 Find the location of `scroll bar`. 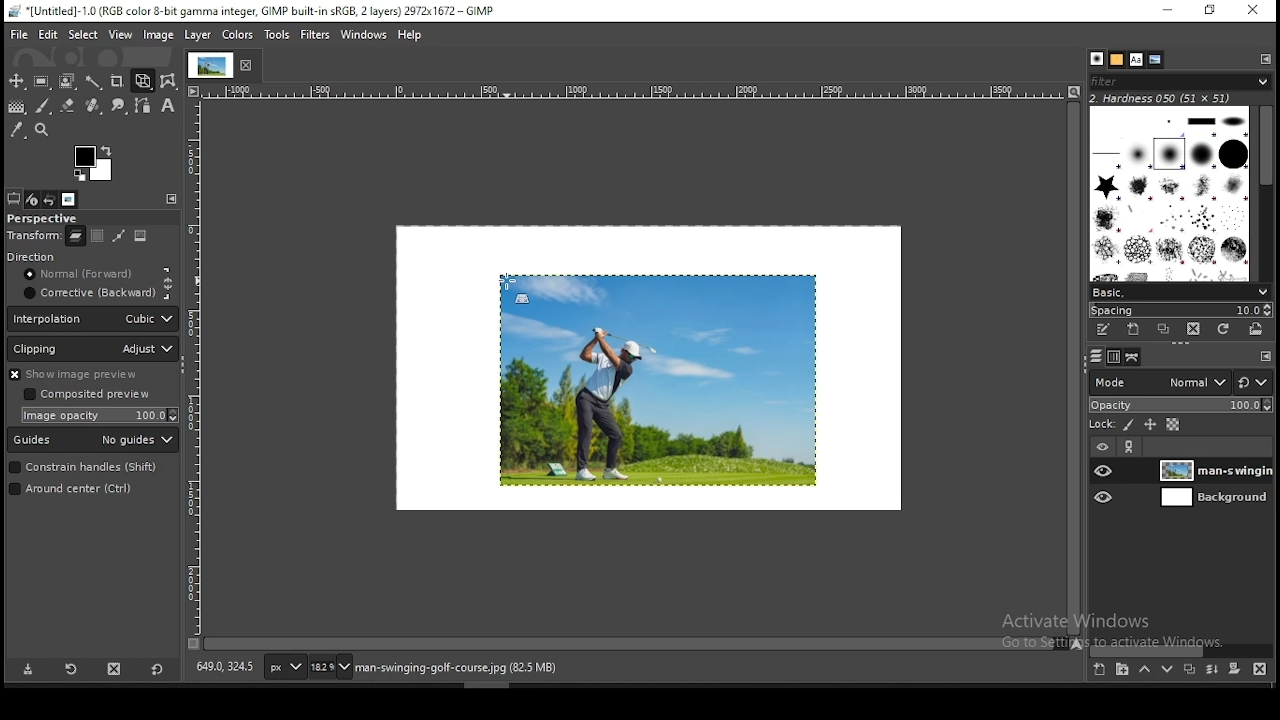

scroll bar is located at coordinates (1183, 648).